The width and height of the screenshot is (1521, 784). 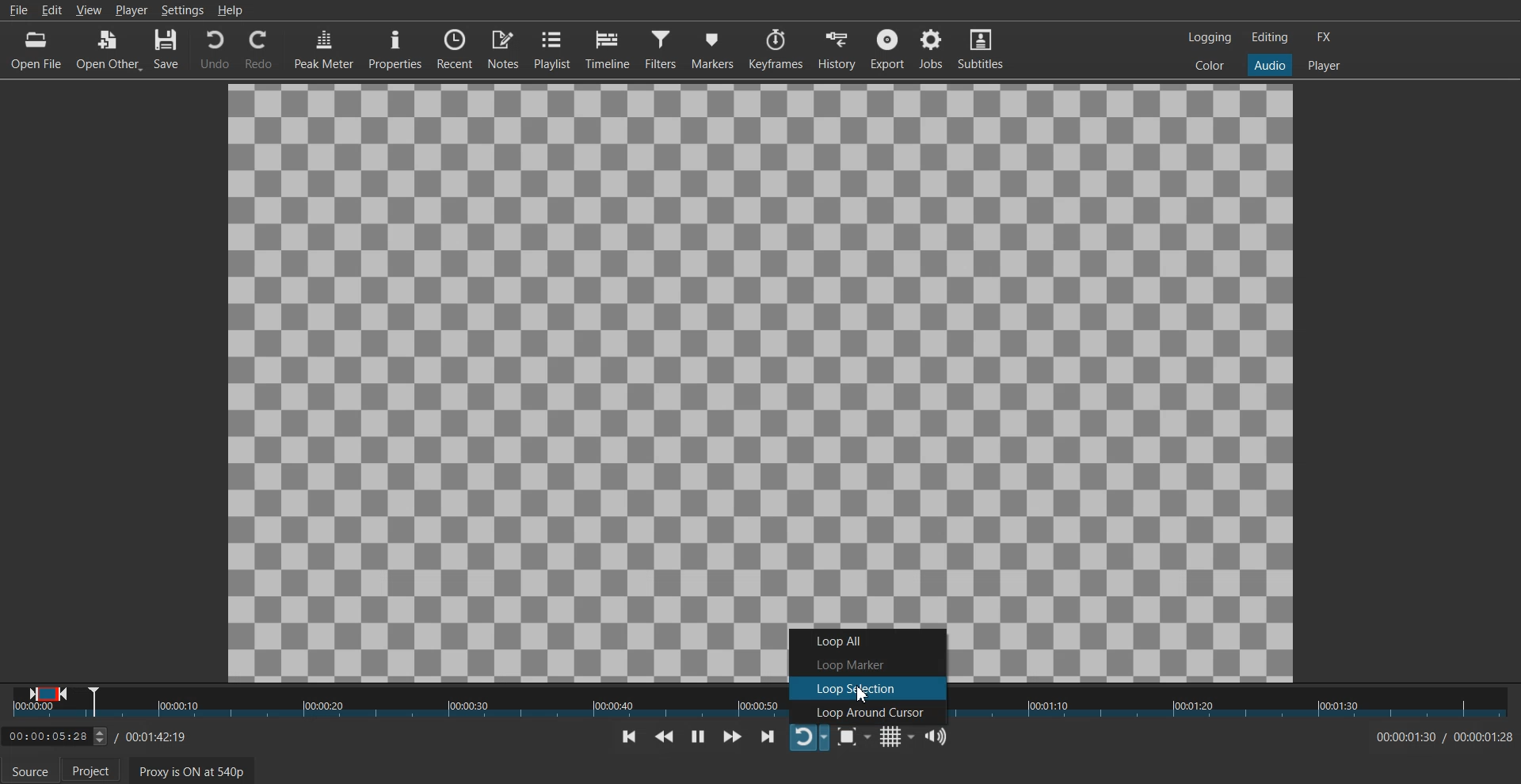 What do you see at coordinates (867, 712) in the screenshot?
I see `Loop Around Cursor` at bounding box center [867, 712].